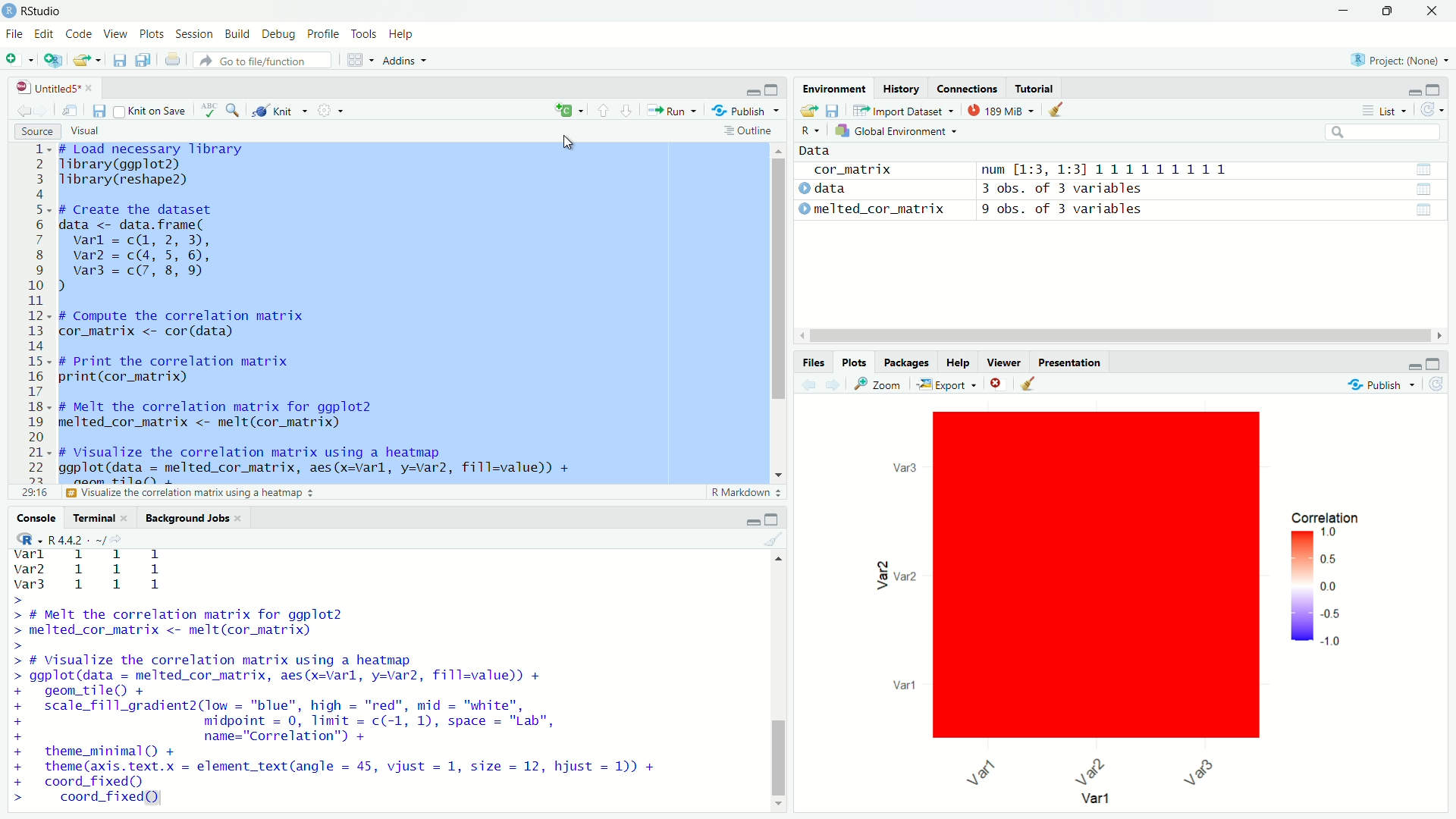  I want to click on knit on save, so click(152, 111).